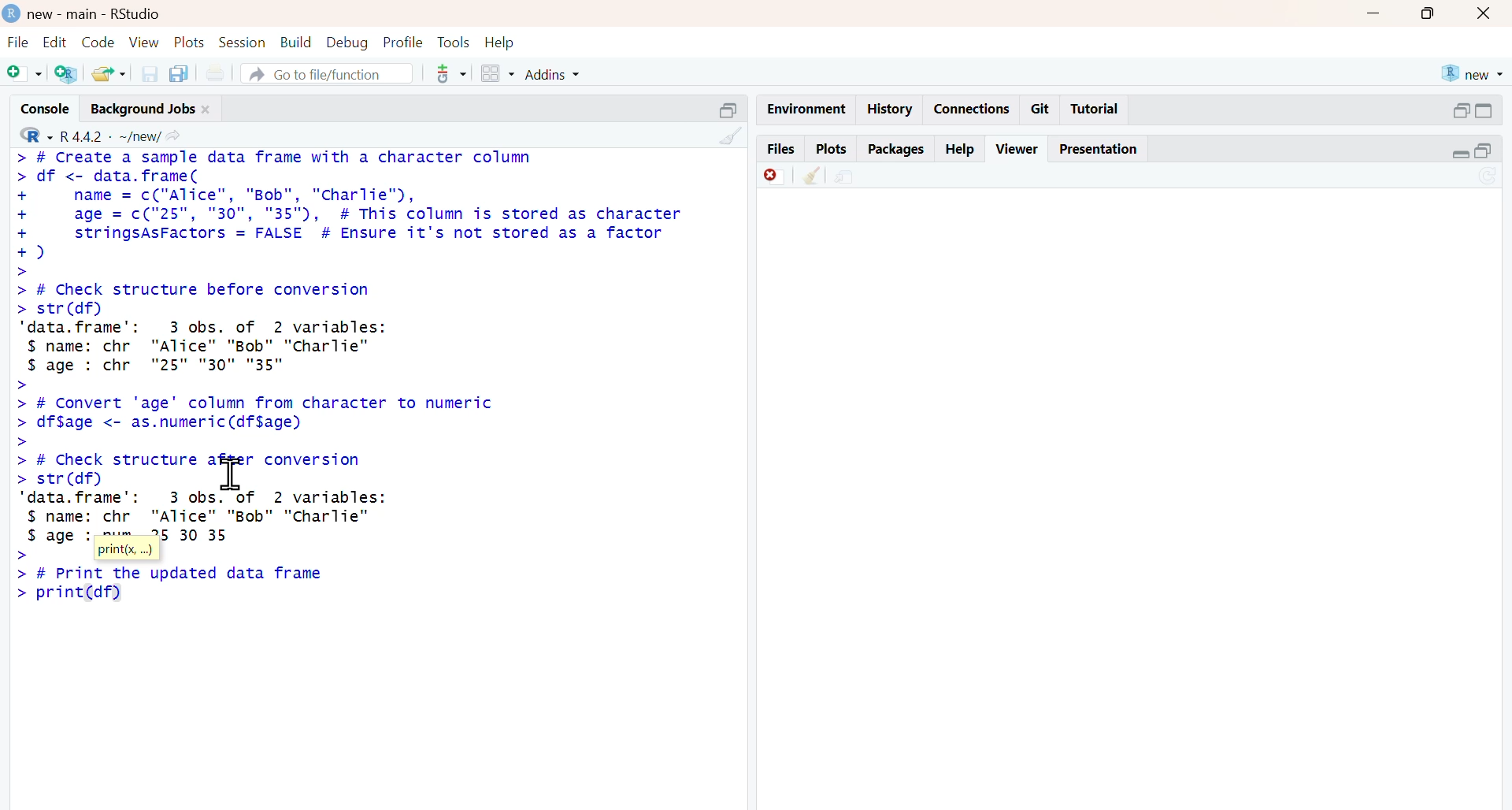 This screenshot has width=1512, height=810. Describe the element at coordinates (1483, 151) in the screenshot. I see `open in separate window` at that location.